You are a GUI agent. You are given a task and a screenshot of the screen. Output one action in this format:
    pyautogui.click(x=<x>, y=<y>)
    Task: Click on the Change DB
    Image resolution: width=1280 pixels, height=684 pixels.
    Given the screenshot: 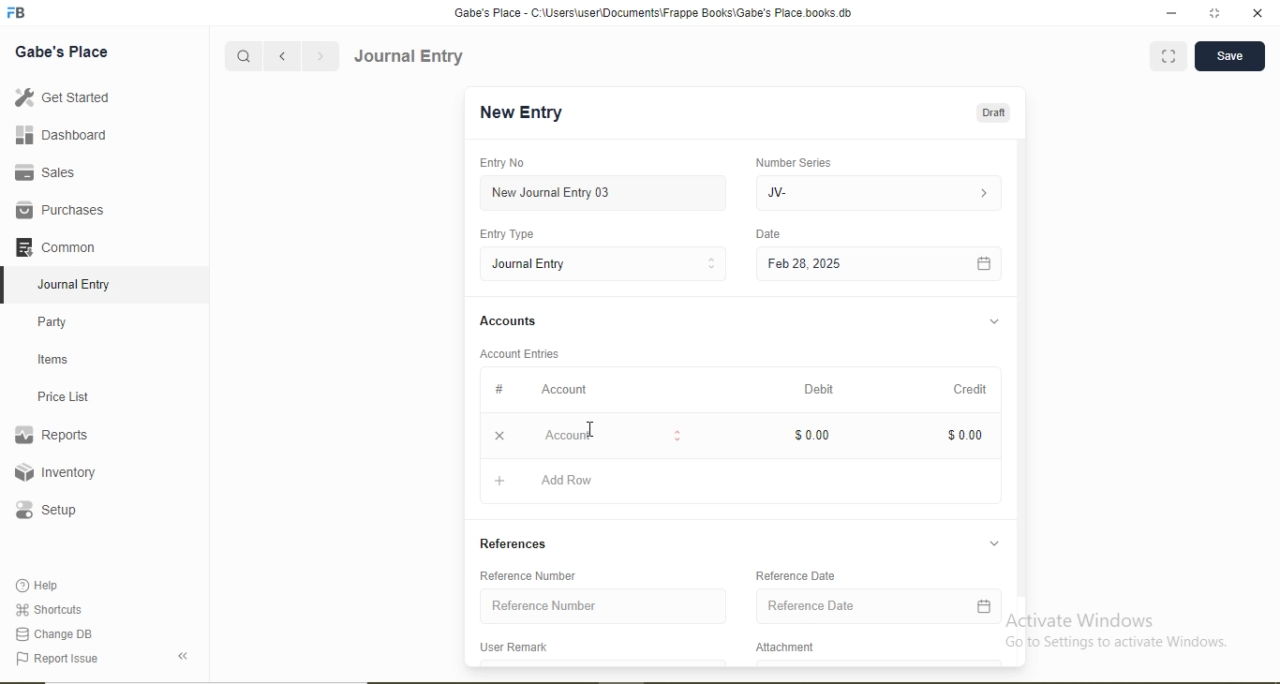 What is the action you would take?
    pyautogui.click(x=52, y=635)
    